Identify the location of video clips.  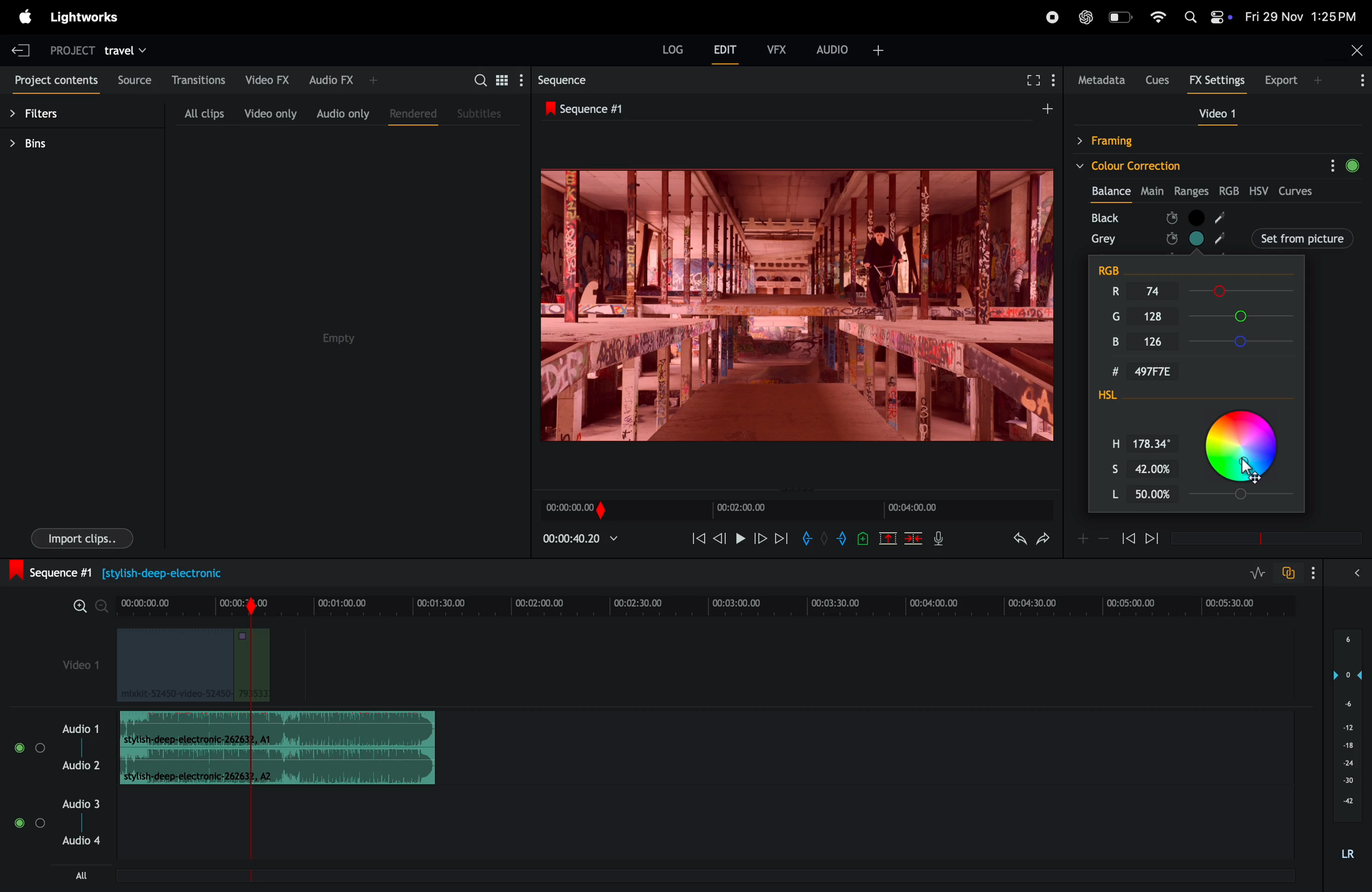
(193, 666).